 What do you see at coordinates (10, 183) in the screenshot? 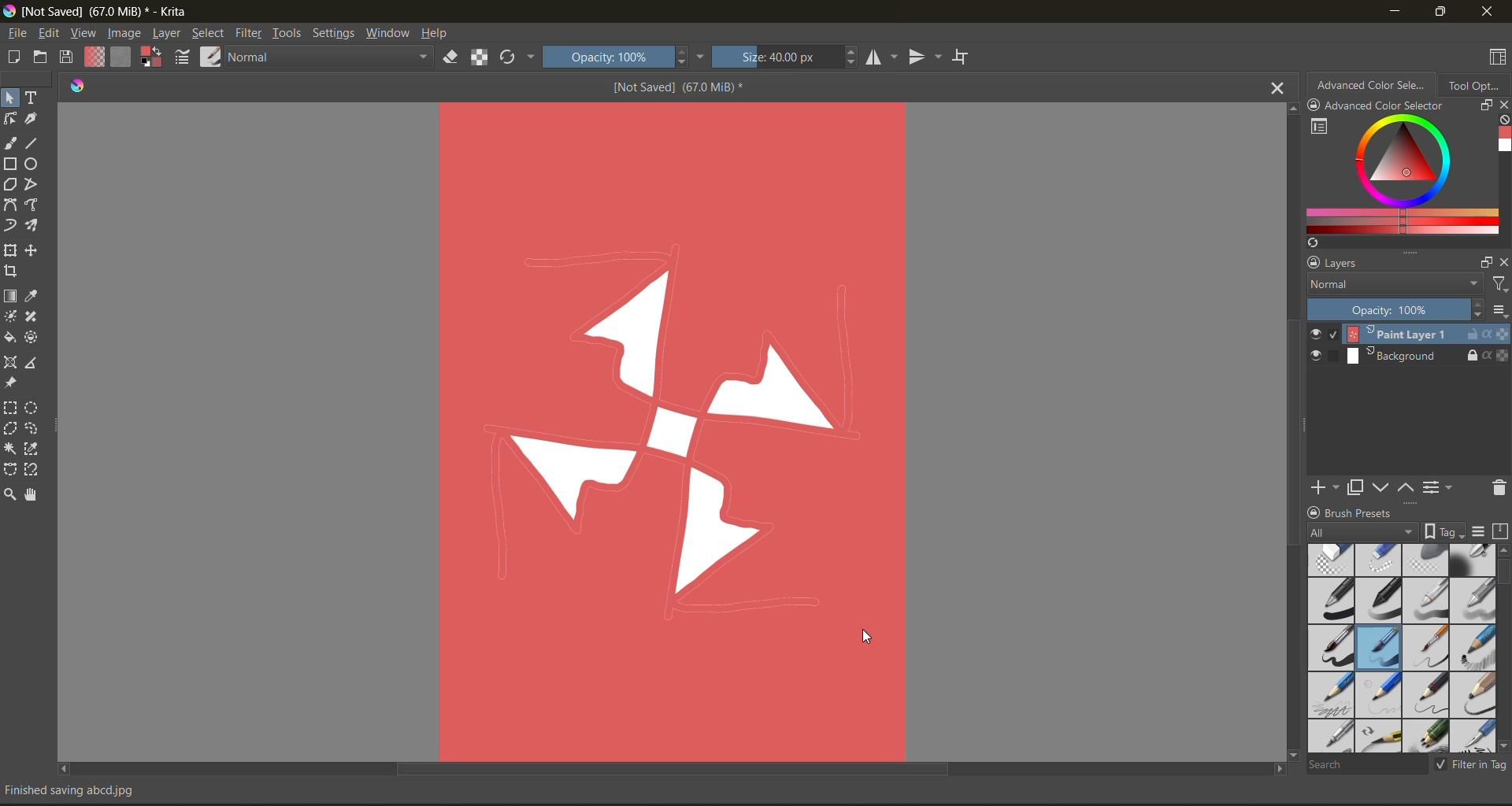
I see `tools` at bounding box center [10, 183].